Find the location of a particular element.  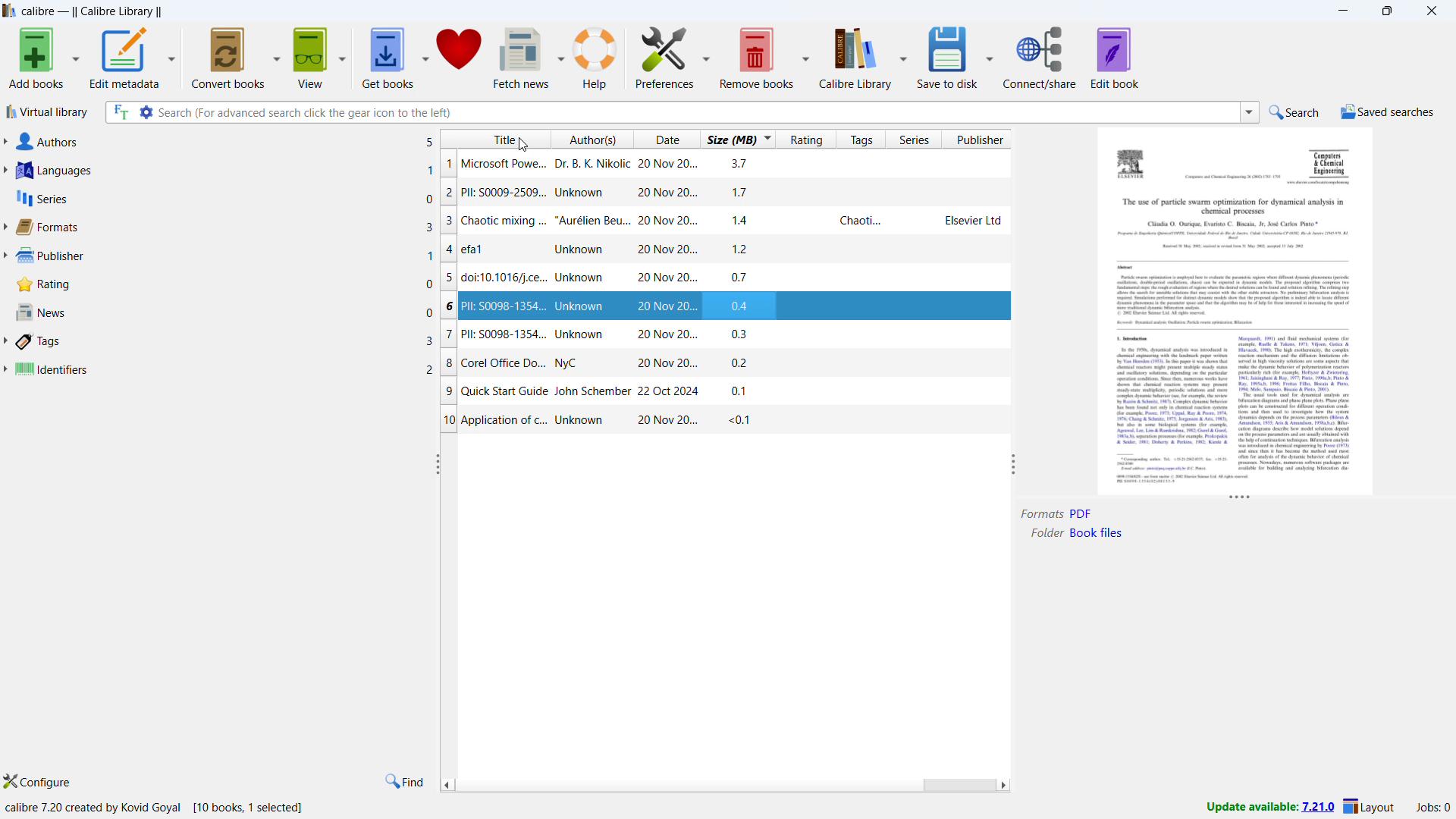

04 is located at coordinates (742, 304).